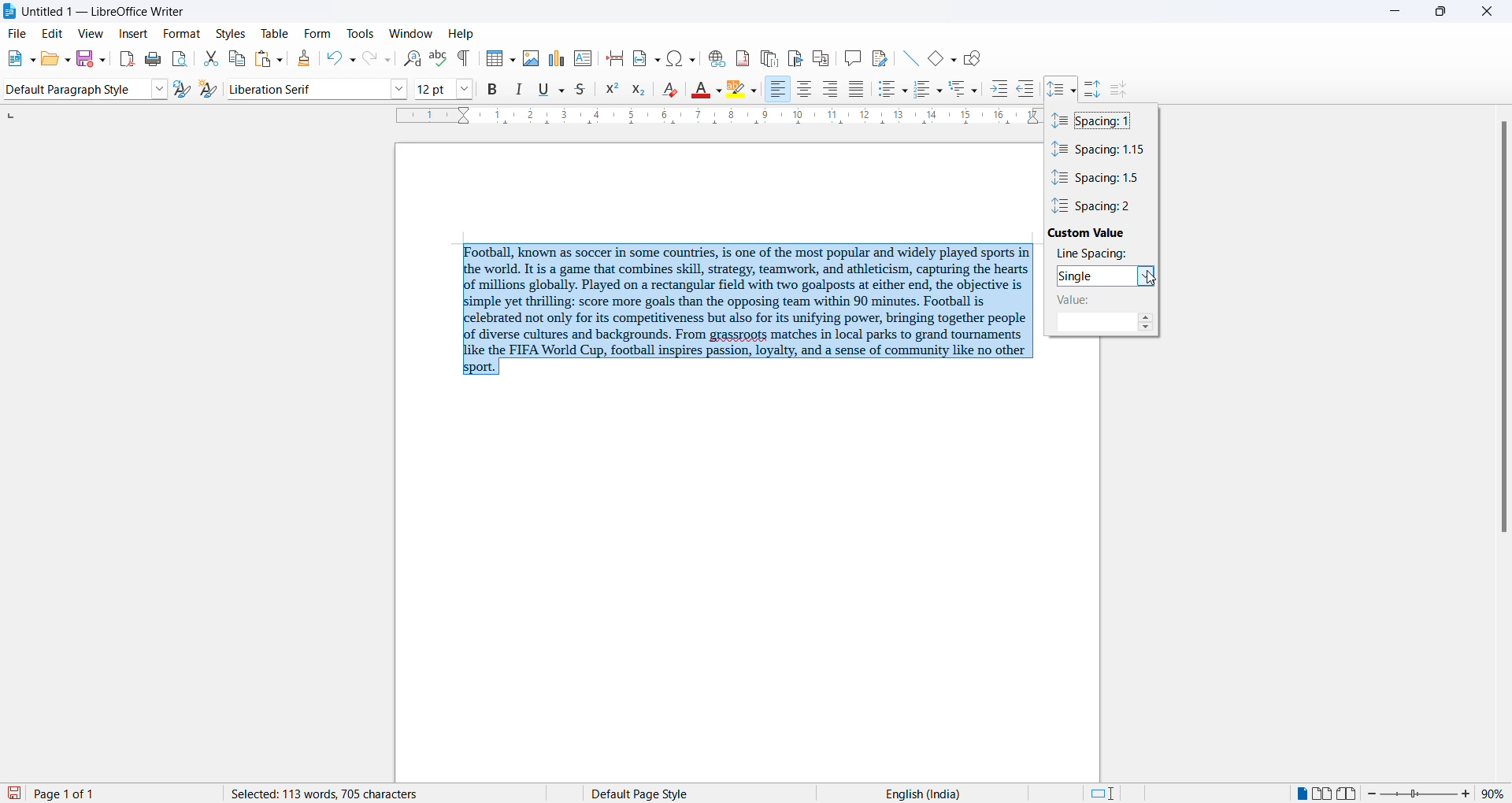  Describe the element at coordinates (1503, 331) in the screenshot. I see `scrollbar` at that location.